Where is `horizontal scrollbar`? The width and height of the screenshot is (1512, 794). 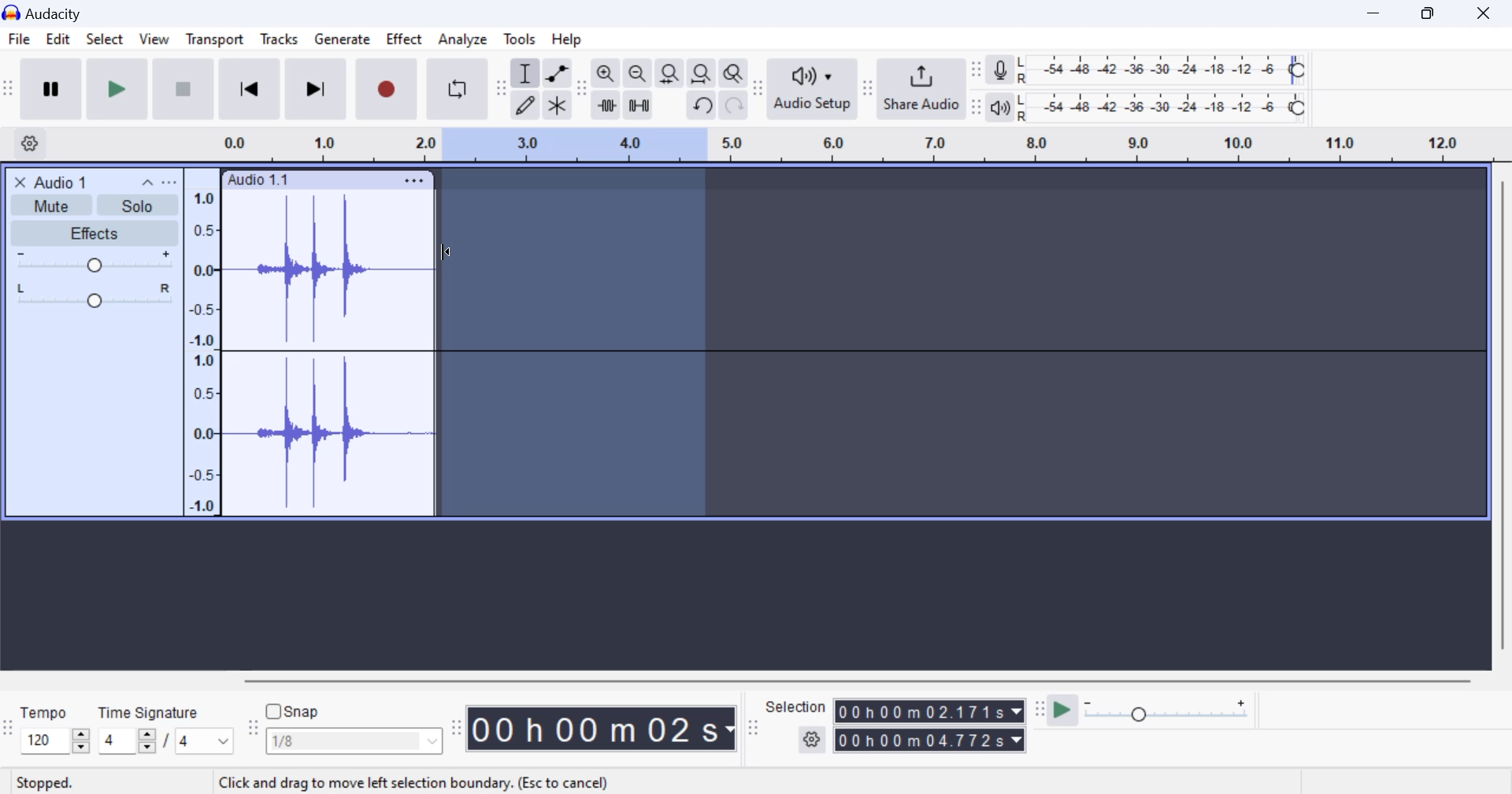
horizontal scrollbar is located at coordinates (873, 678).